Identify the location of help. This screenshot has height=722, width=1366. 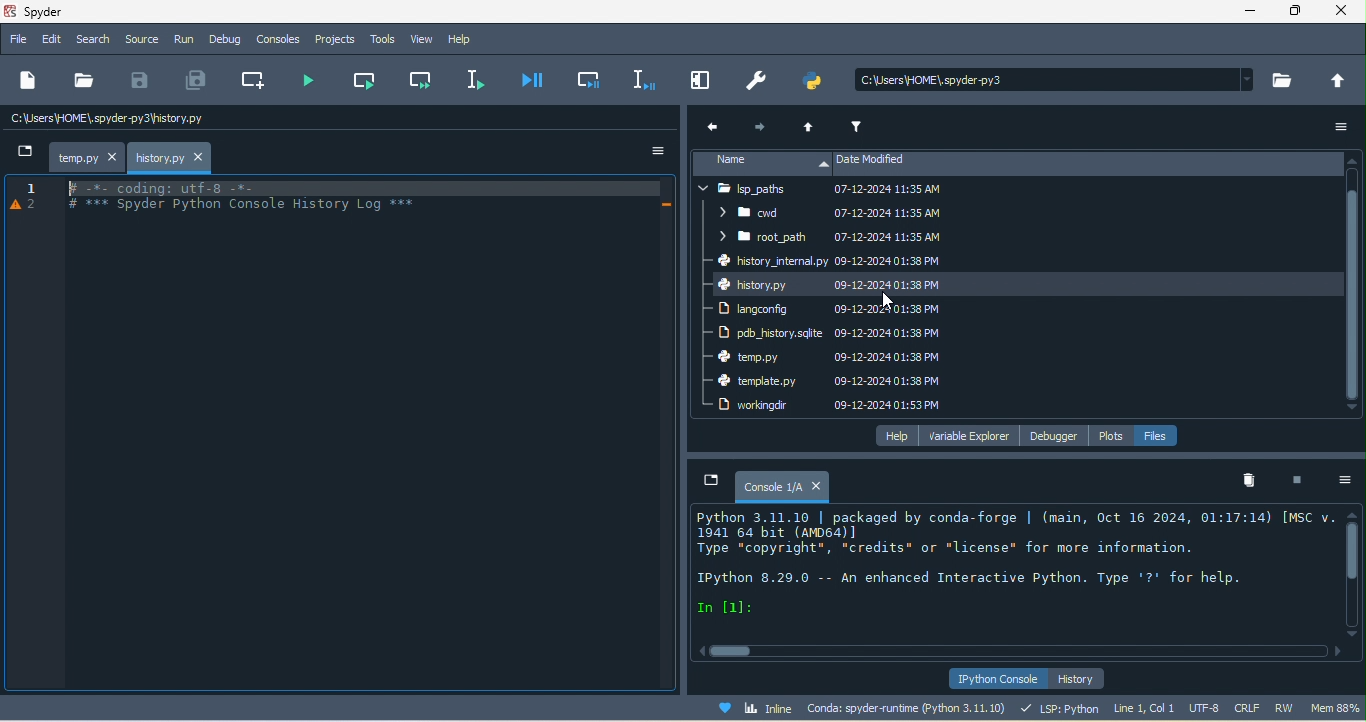
(464, 39).